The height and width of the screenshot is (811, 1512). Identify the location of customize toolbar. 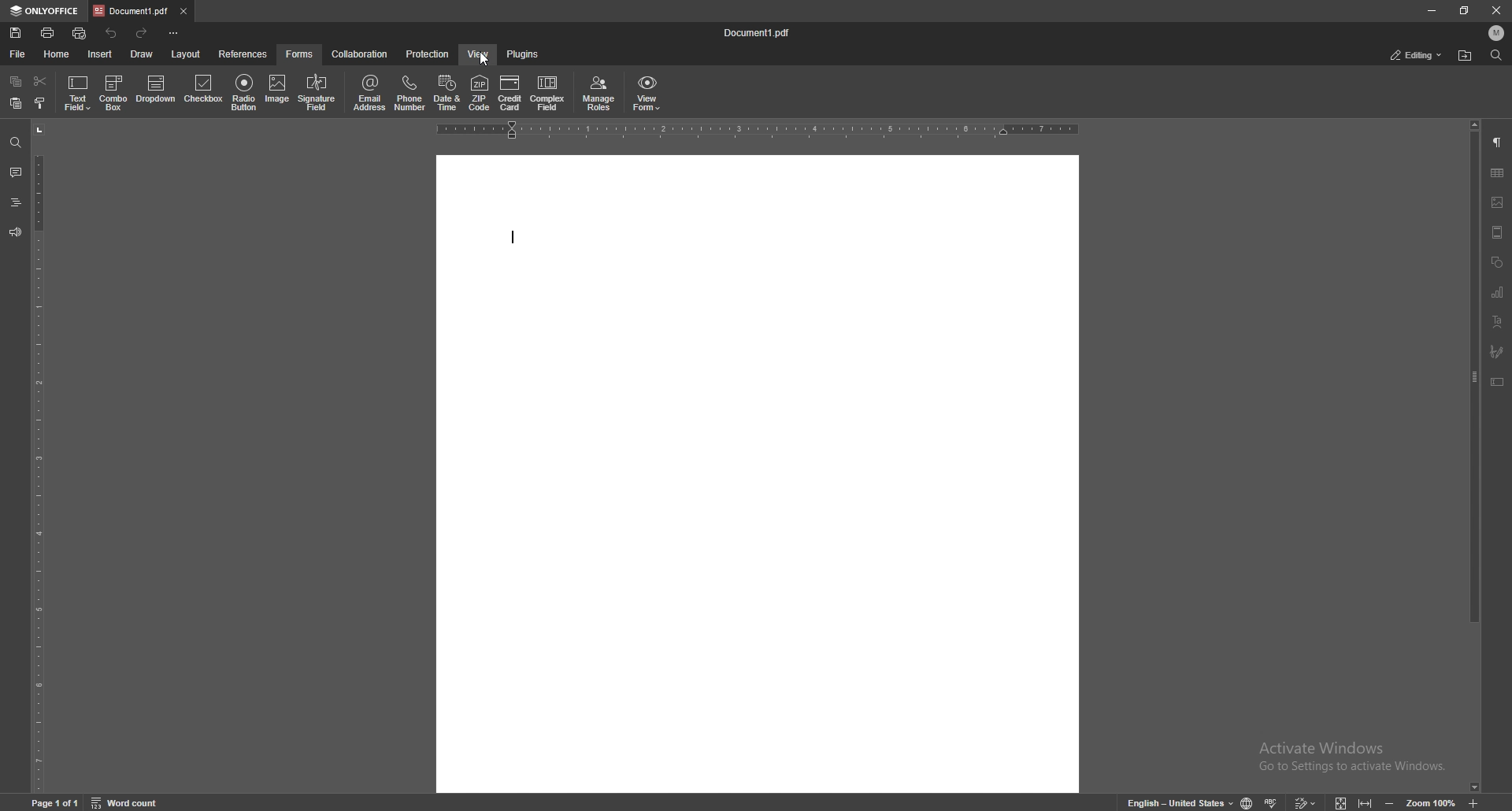
(176, 33).